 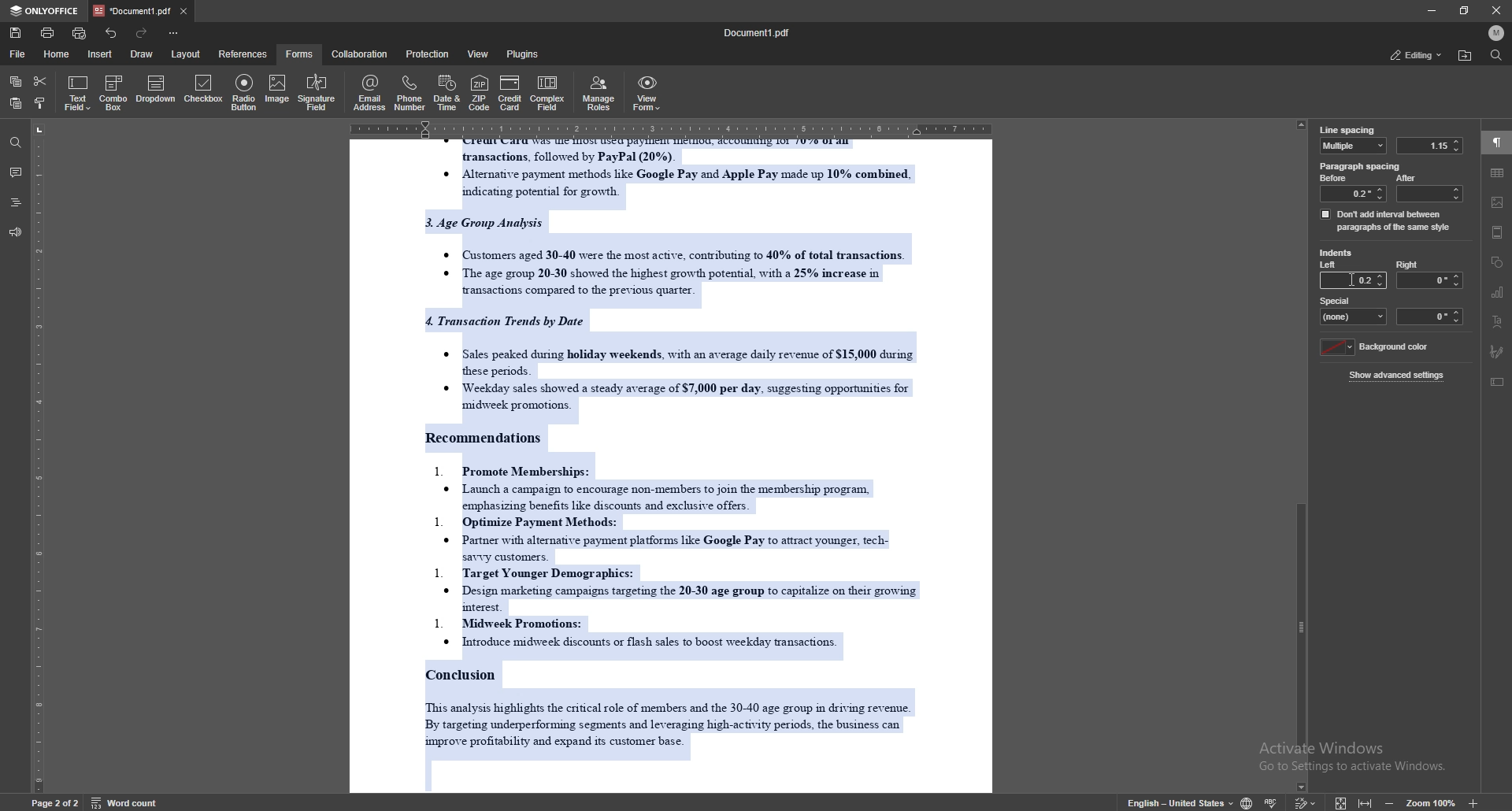 What do you see at coordinates (113, 93) in the screenshot?
I see `combo box` at bounding box center [113, 93].